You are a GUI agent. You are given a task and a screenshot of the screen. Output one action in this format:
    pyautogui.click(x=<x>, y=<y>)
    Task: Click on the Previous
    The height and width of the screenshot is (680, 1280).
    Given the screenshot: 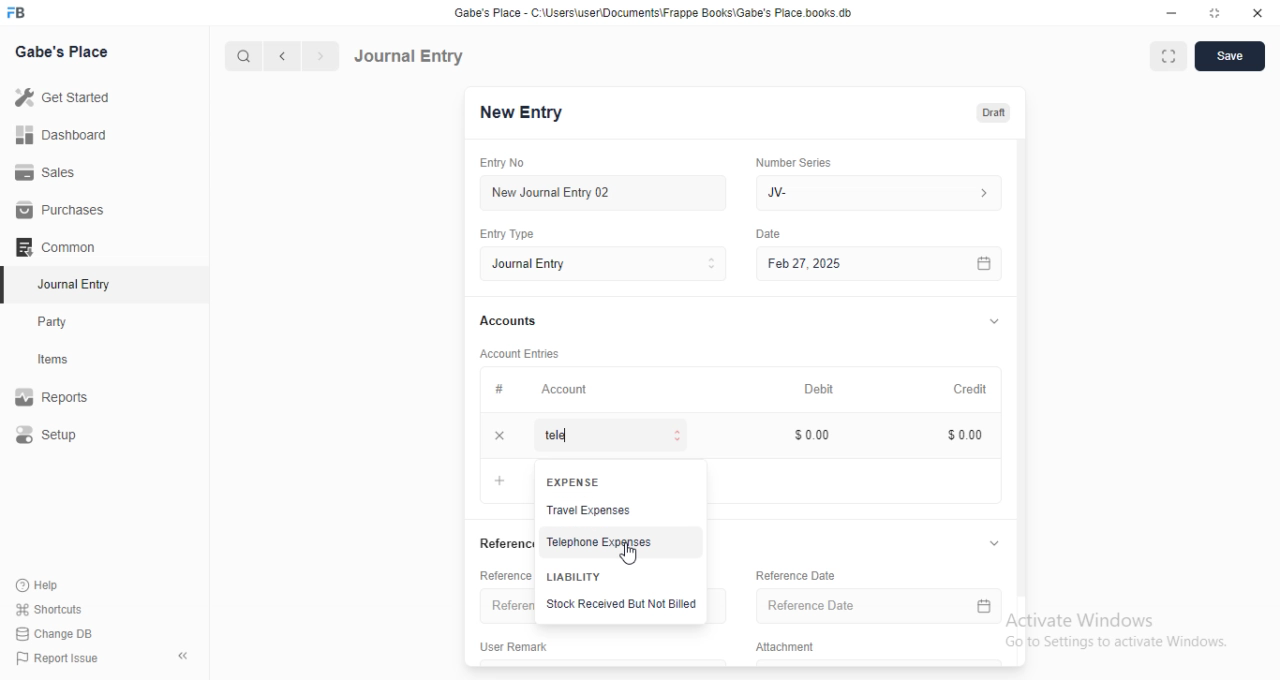 What is the action you would take?
    pyautogui.click(x=283, y=57)
    